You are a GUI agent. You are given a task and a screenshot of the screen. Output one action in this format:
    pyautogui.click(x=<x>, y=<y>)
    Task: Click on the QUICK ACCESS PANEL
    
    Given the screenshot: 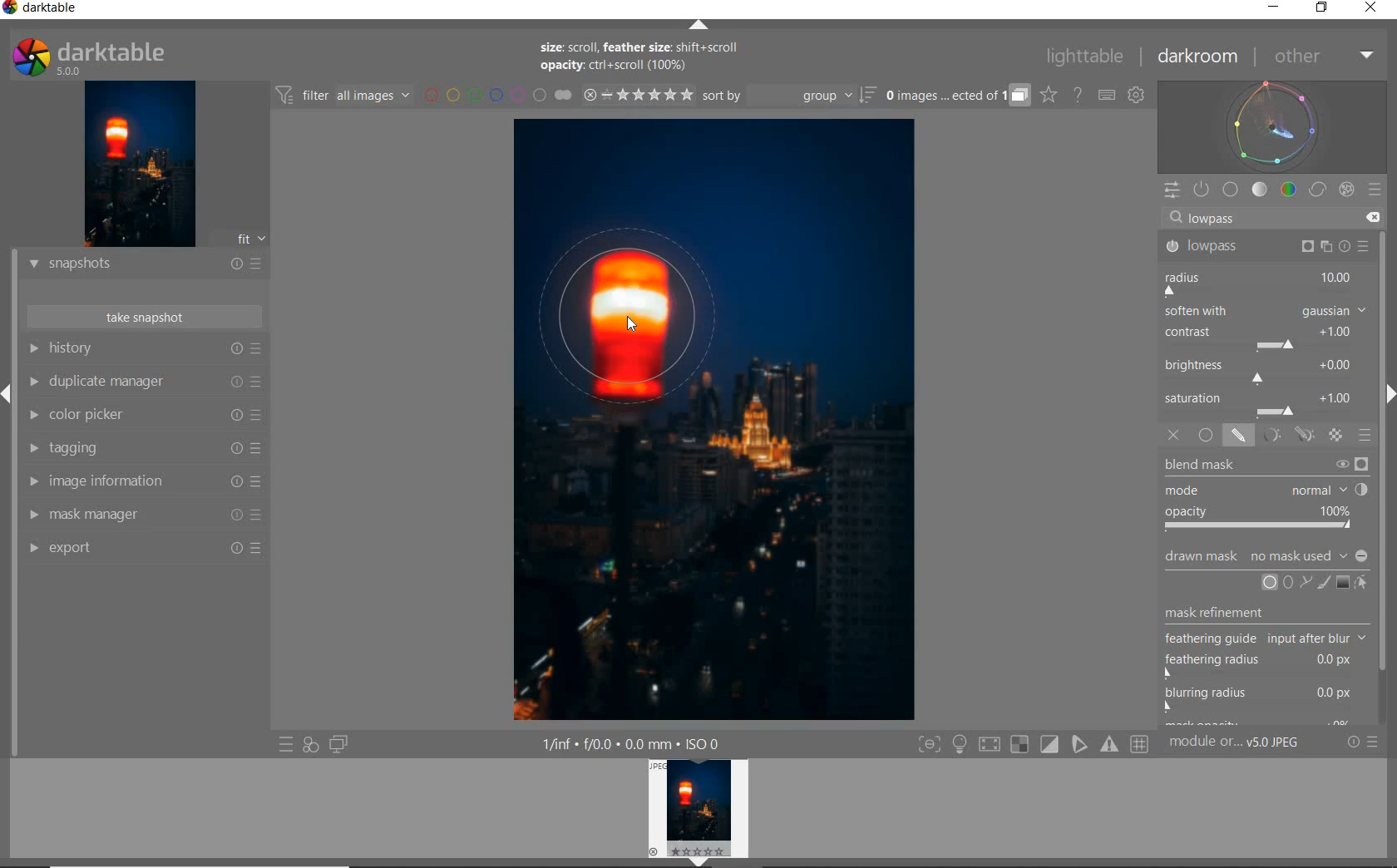 What is the action you would take?
    pyautogui.click(x=1172, y=187)
    